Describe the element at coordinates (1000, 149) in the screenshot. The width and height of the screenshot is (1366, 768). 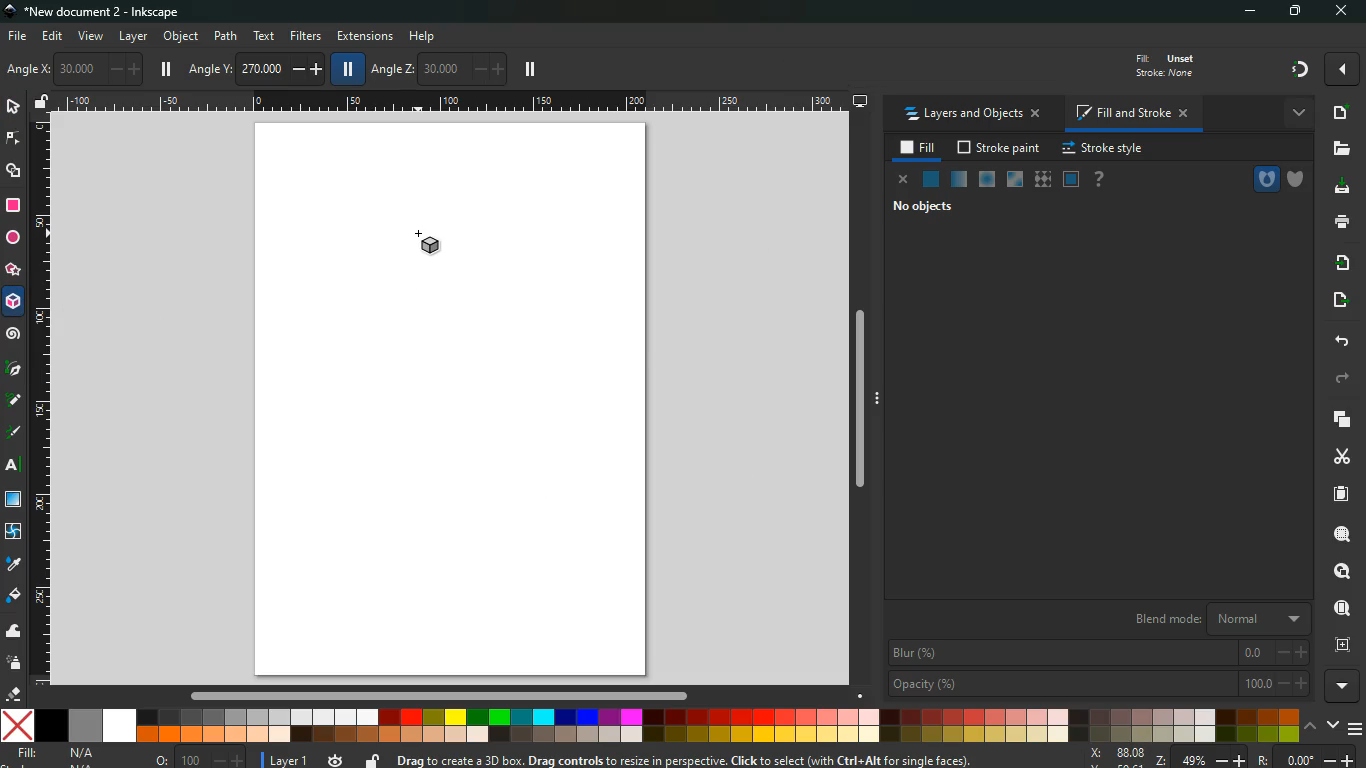
I see `stroke paint` at that location.